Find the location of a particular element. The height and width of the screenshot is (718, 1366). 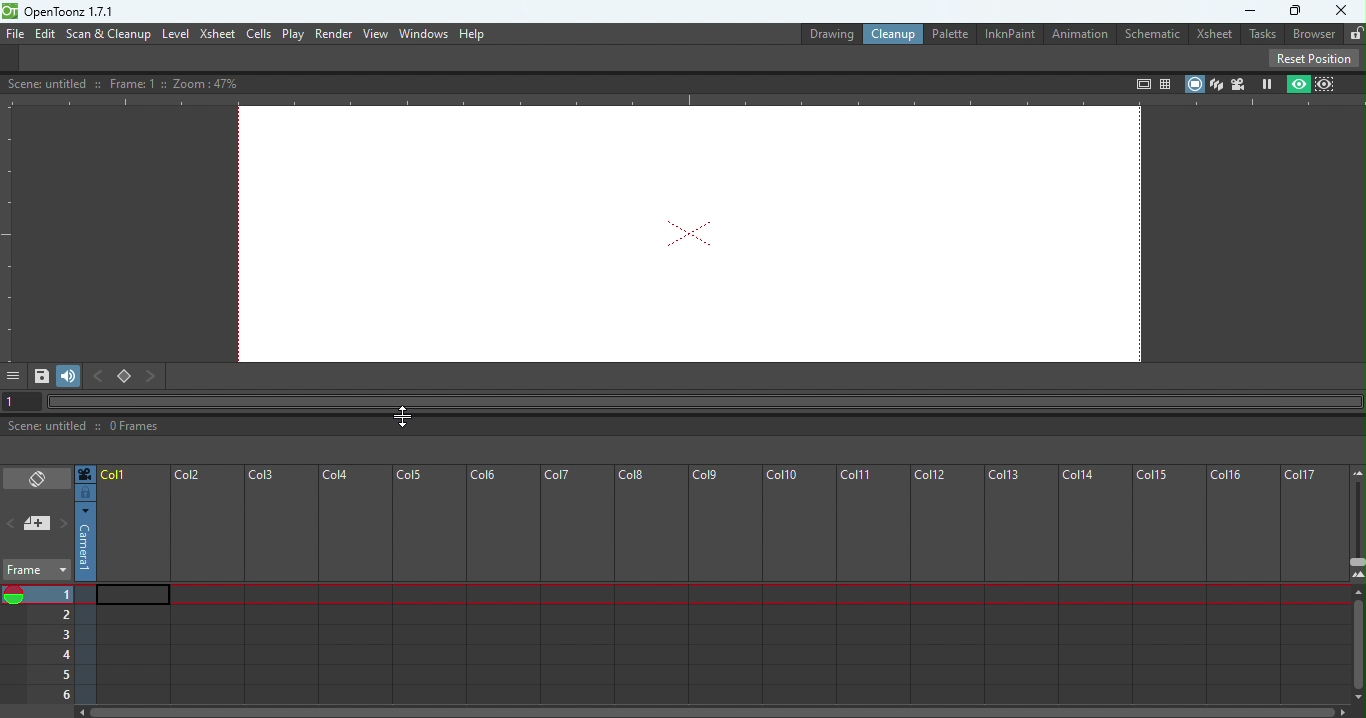

Camera stand view is located at coordinates (1193, 83).